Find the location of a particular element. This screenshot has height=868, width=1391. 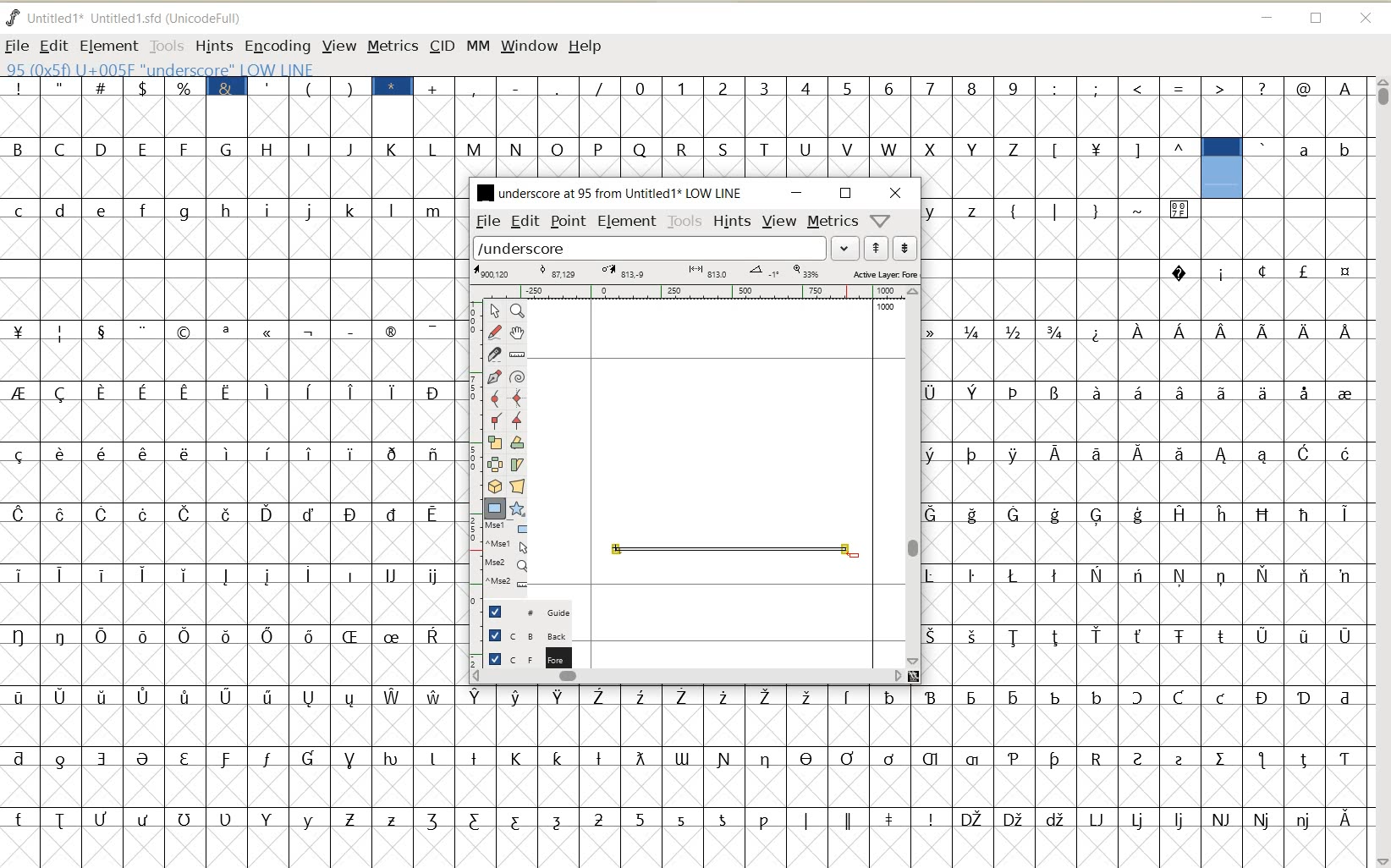

SCROLLBAR is located at coordinates (687, 675).